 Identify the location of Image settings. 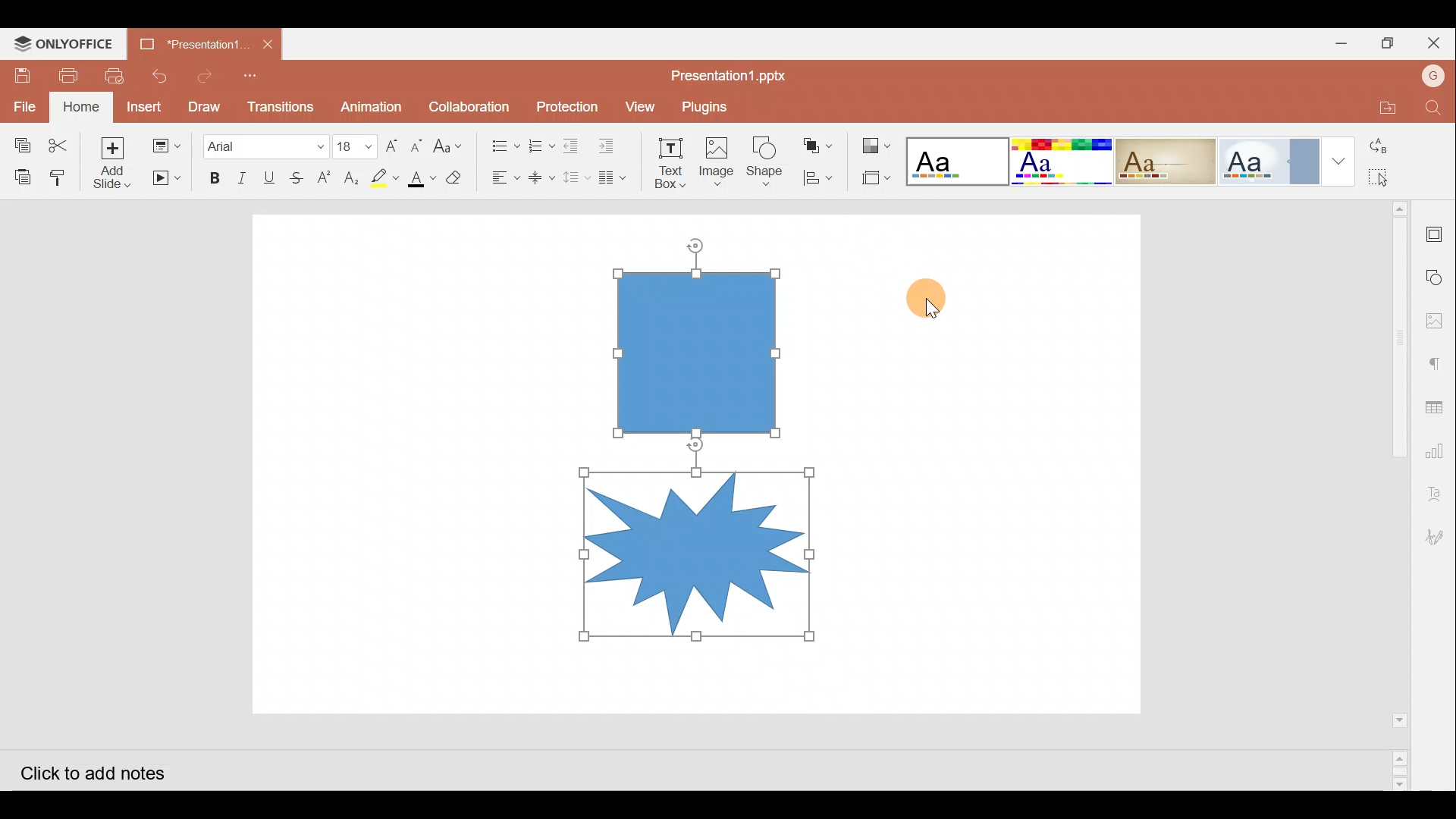
(1439, 316).